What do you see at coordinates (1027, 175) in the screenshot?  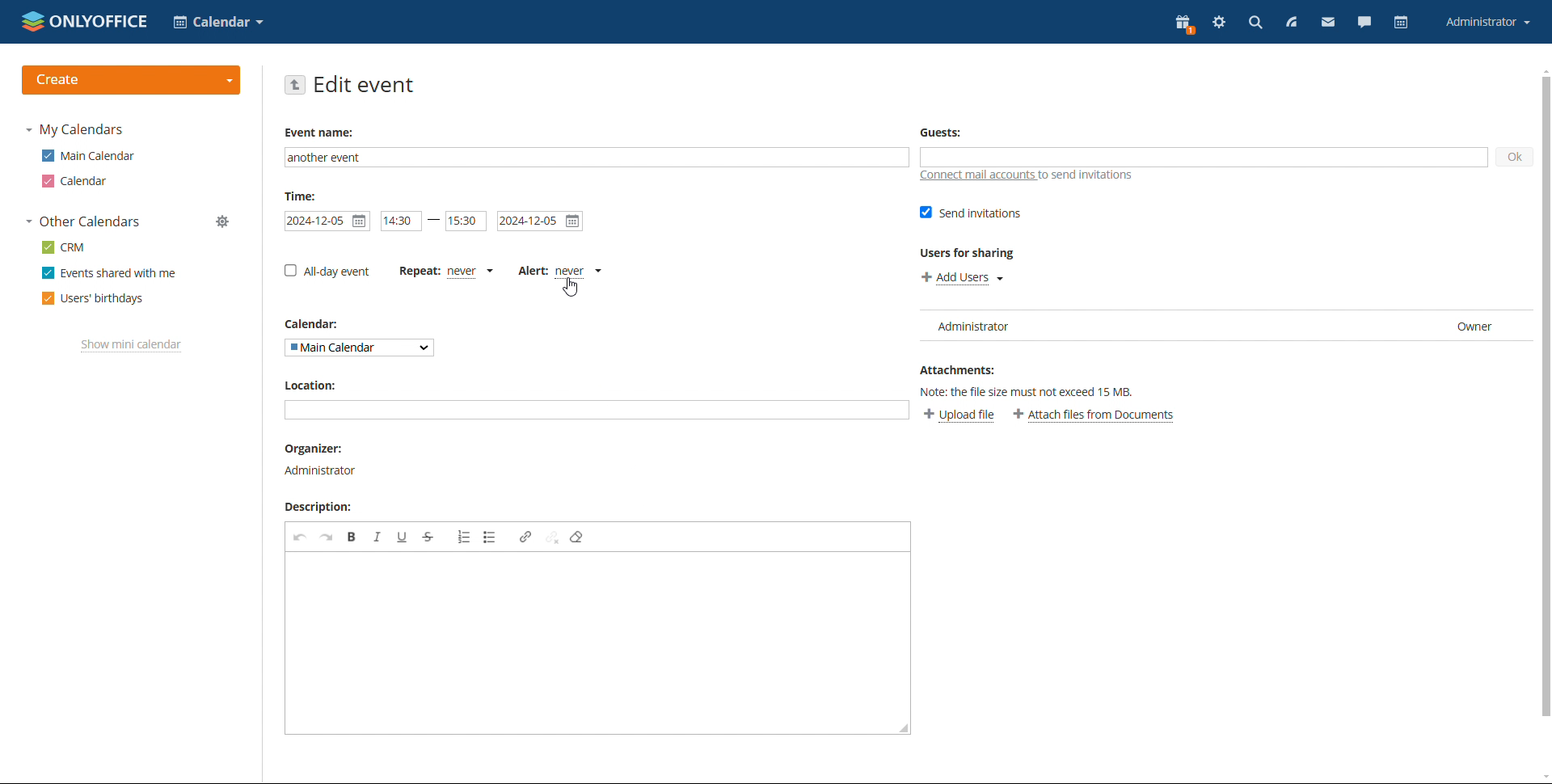 I see `connect mail accounts to send inviattion` at bounding box center [1027, 175].